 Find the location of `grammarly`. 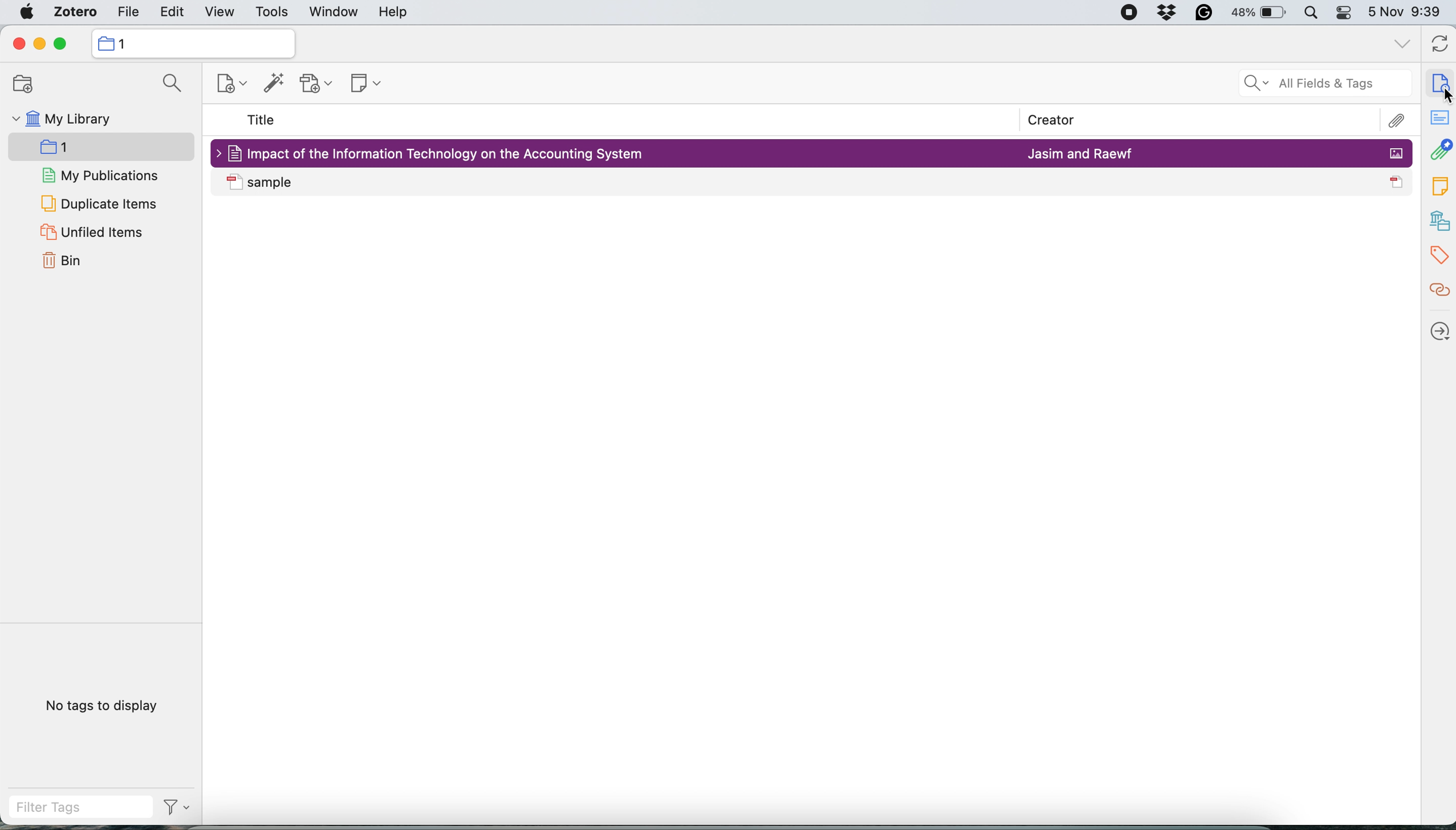

grammarly is located at coordinates (1203, 13).